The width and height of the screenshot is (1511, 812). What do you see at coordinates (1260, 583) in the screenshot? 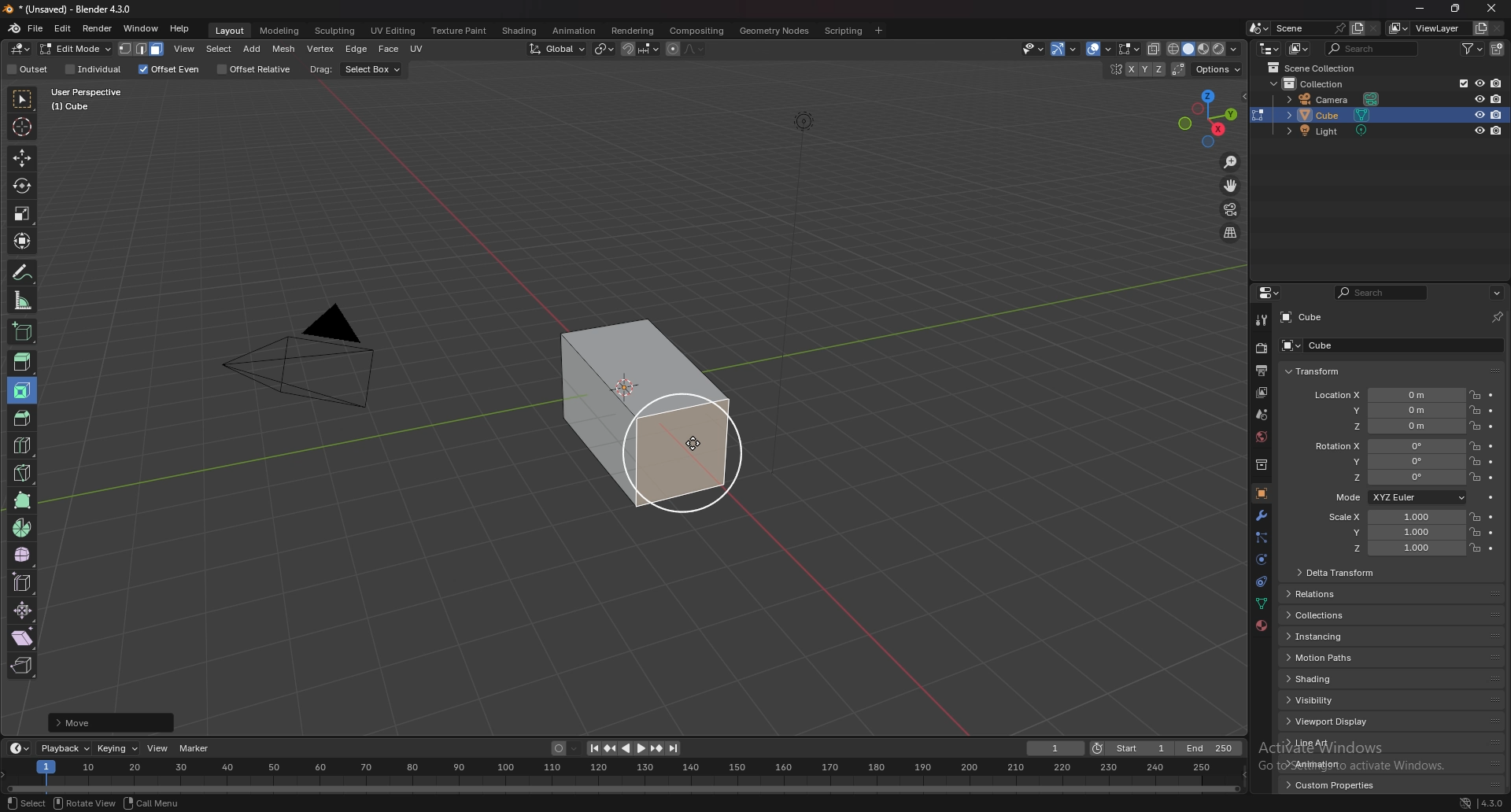
I see `physics` at bounding box center [1260, 583].